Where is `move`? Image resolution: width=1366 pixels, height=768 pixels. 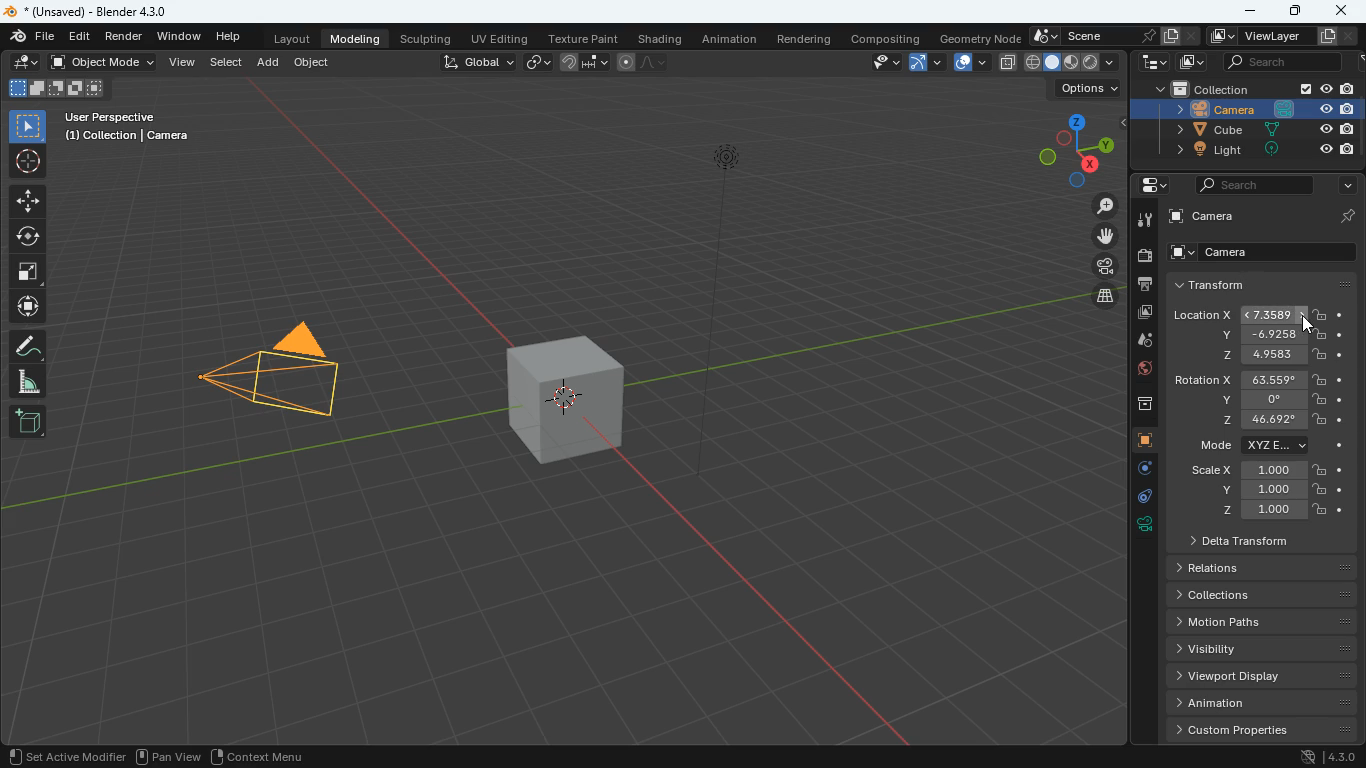 move is located at coordinates (1094, 236).